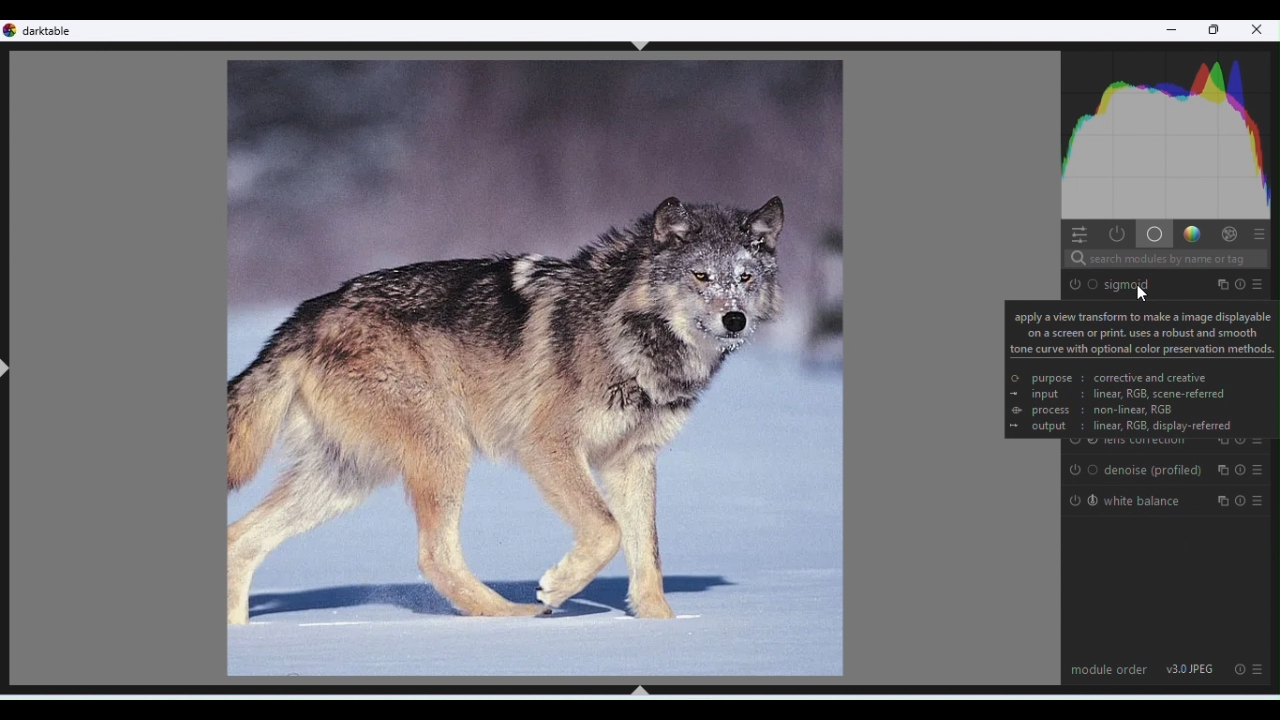 The width and height of the screenshot is (1280, 720). I want to click on Show active modules only, so click(1115, 234).